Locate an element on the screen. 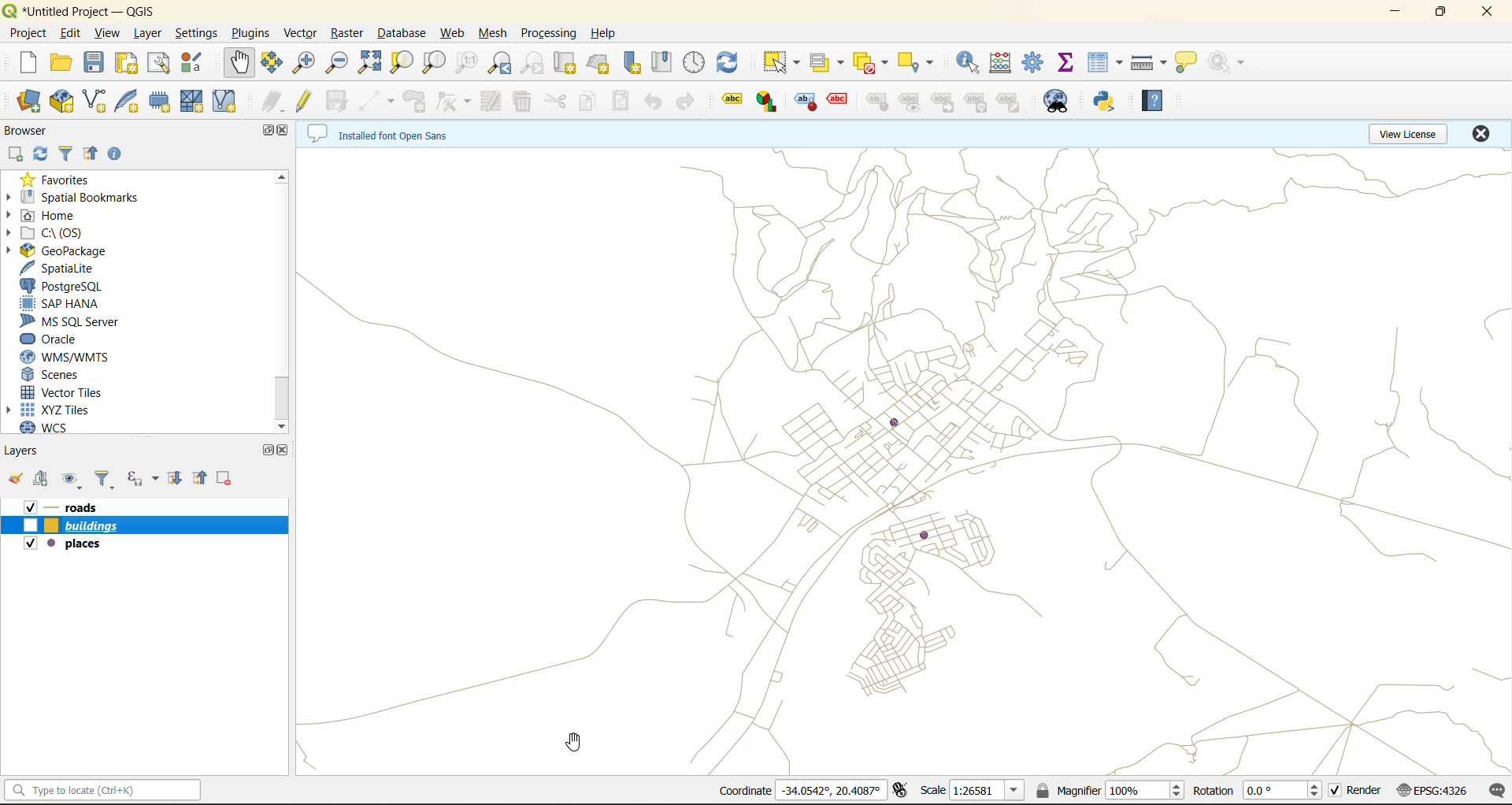  maximize is located at coordinates (1440, 12).